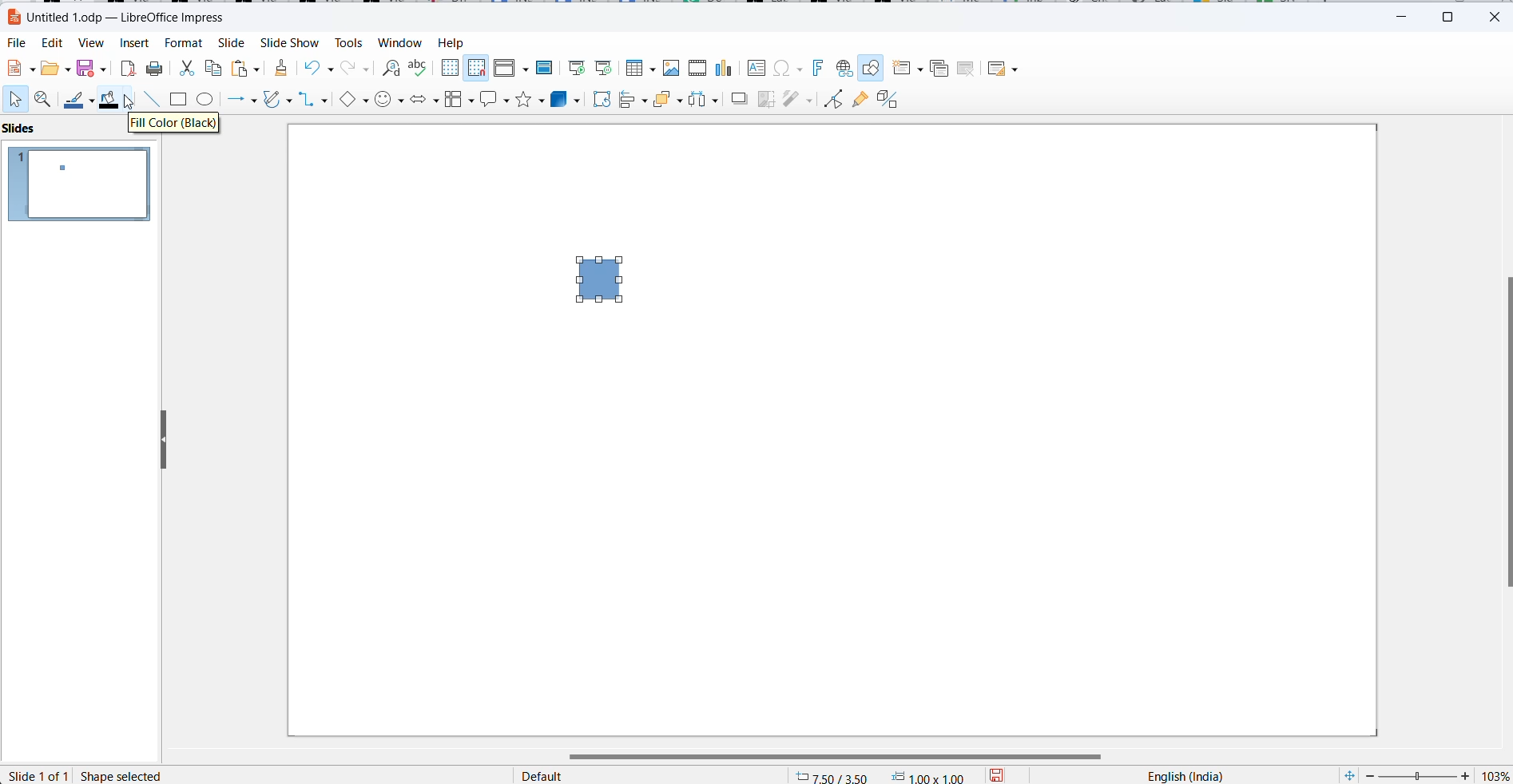 Image resolution: width=1513 pixels, height=784 pixels. I want to click on Insert charts, so click(727, 69).